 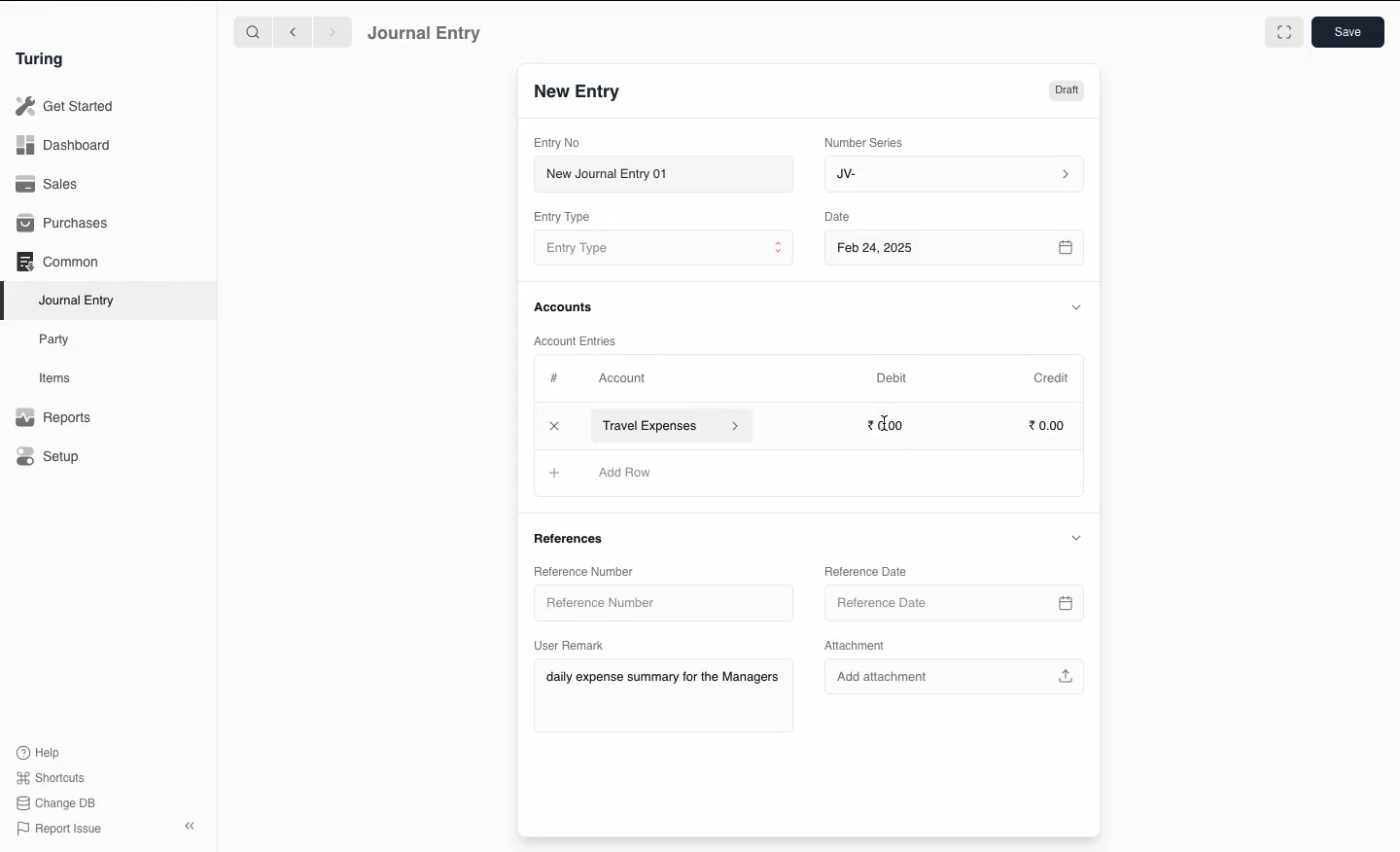 What do you see at coordinates (957, 598) in the screenshot?
I see `Reference Date` at bounding box center [957, 598].